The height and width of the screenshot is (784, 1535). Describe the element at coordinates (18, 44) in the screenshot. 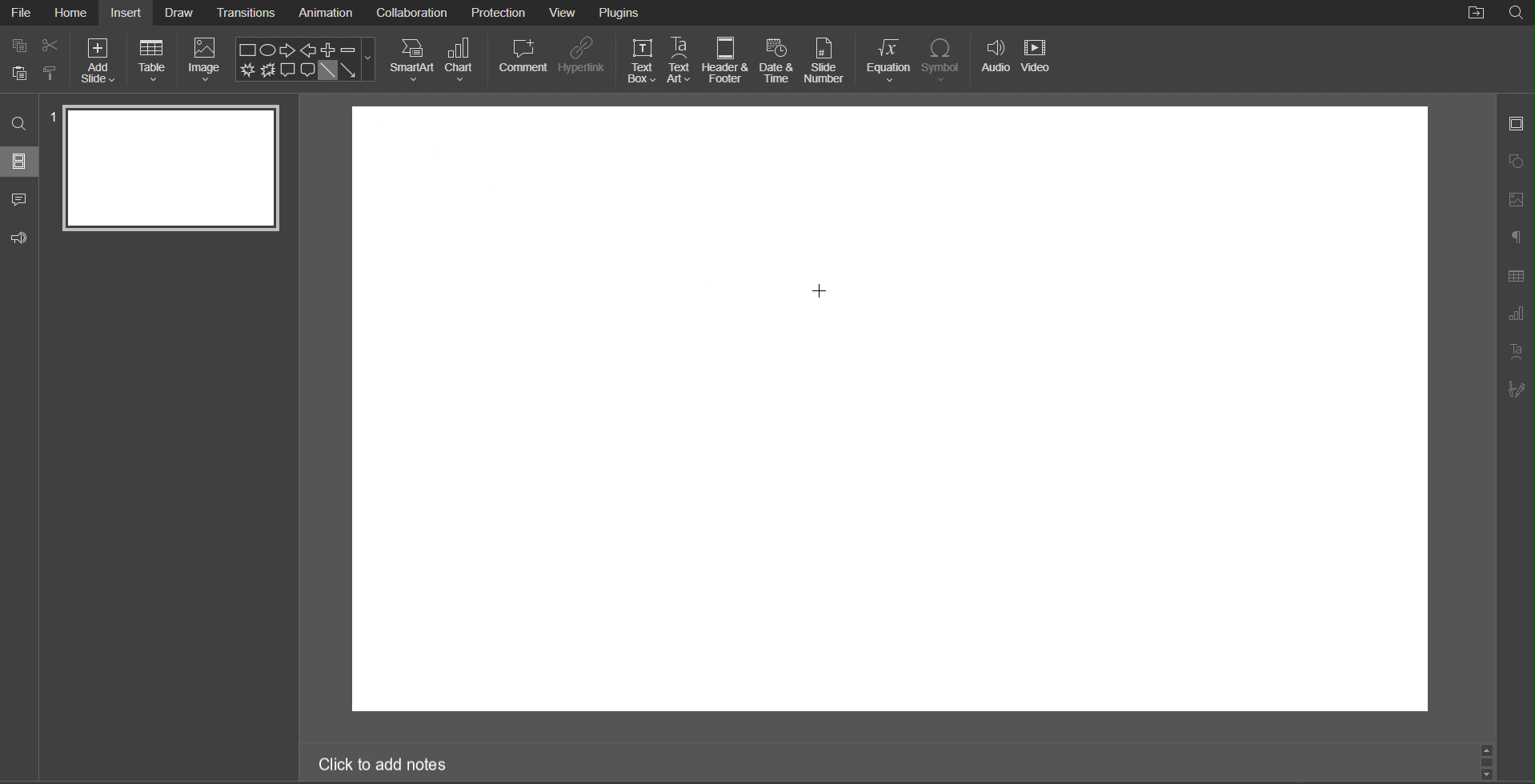

I see `Copy` at that location.